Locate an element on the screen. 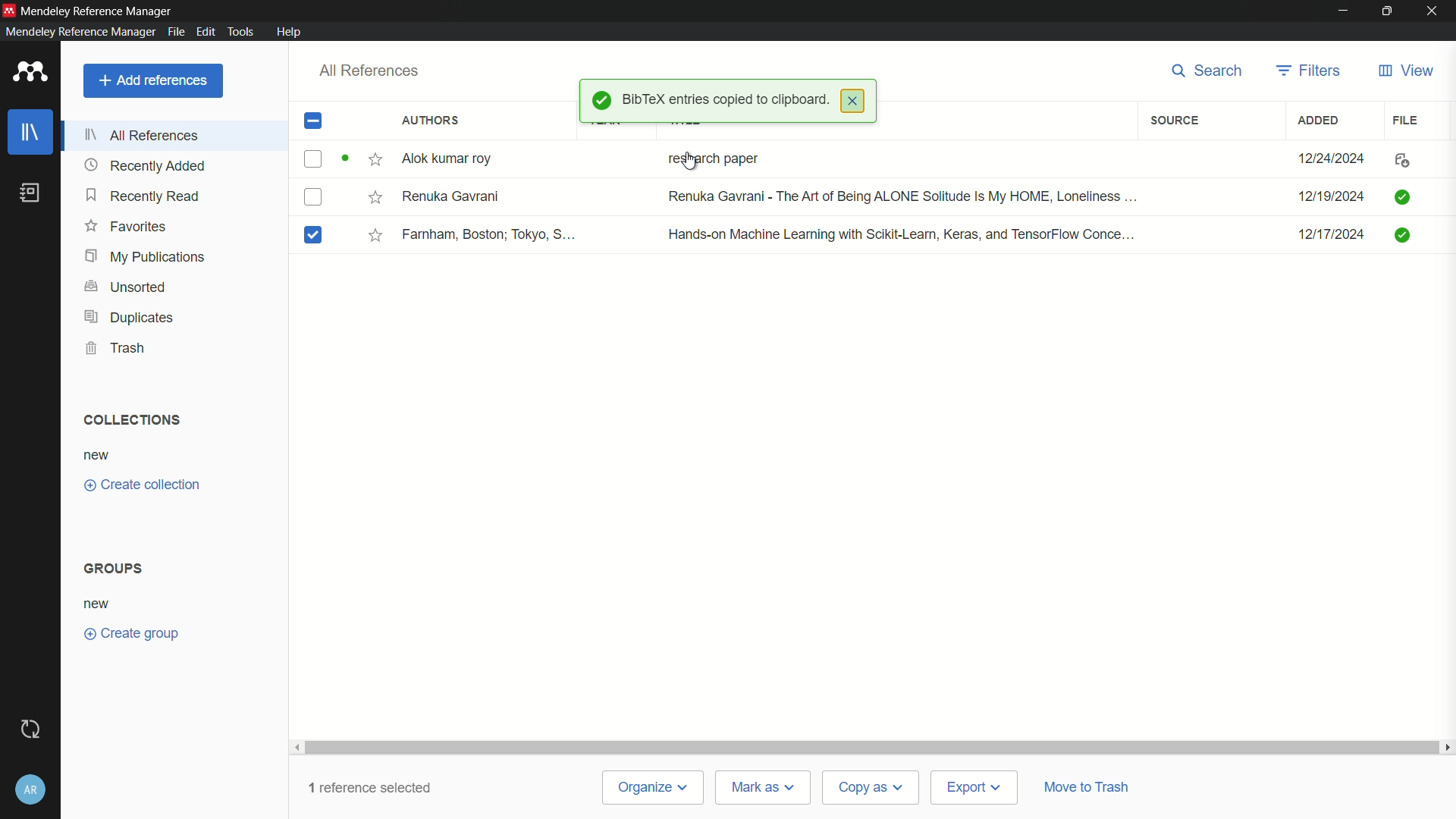 The image size is (1456, 819). duplicates is located at coordinates (127, 317).